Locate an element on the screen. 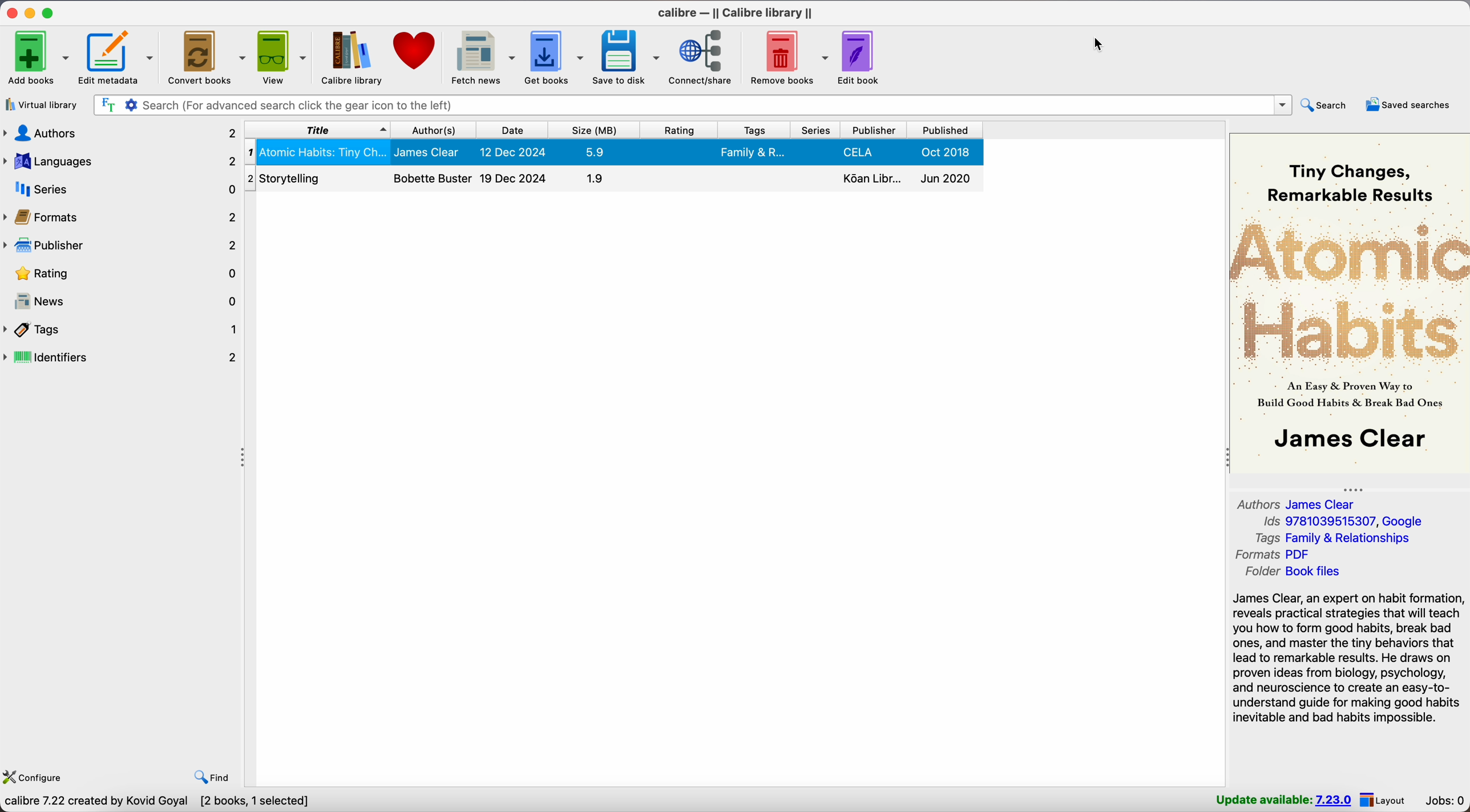 This screenshot has width=1470, height=812. connect/share is located at coordinates (704, 58).